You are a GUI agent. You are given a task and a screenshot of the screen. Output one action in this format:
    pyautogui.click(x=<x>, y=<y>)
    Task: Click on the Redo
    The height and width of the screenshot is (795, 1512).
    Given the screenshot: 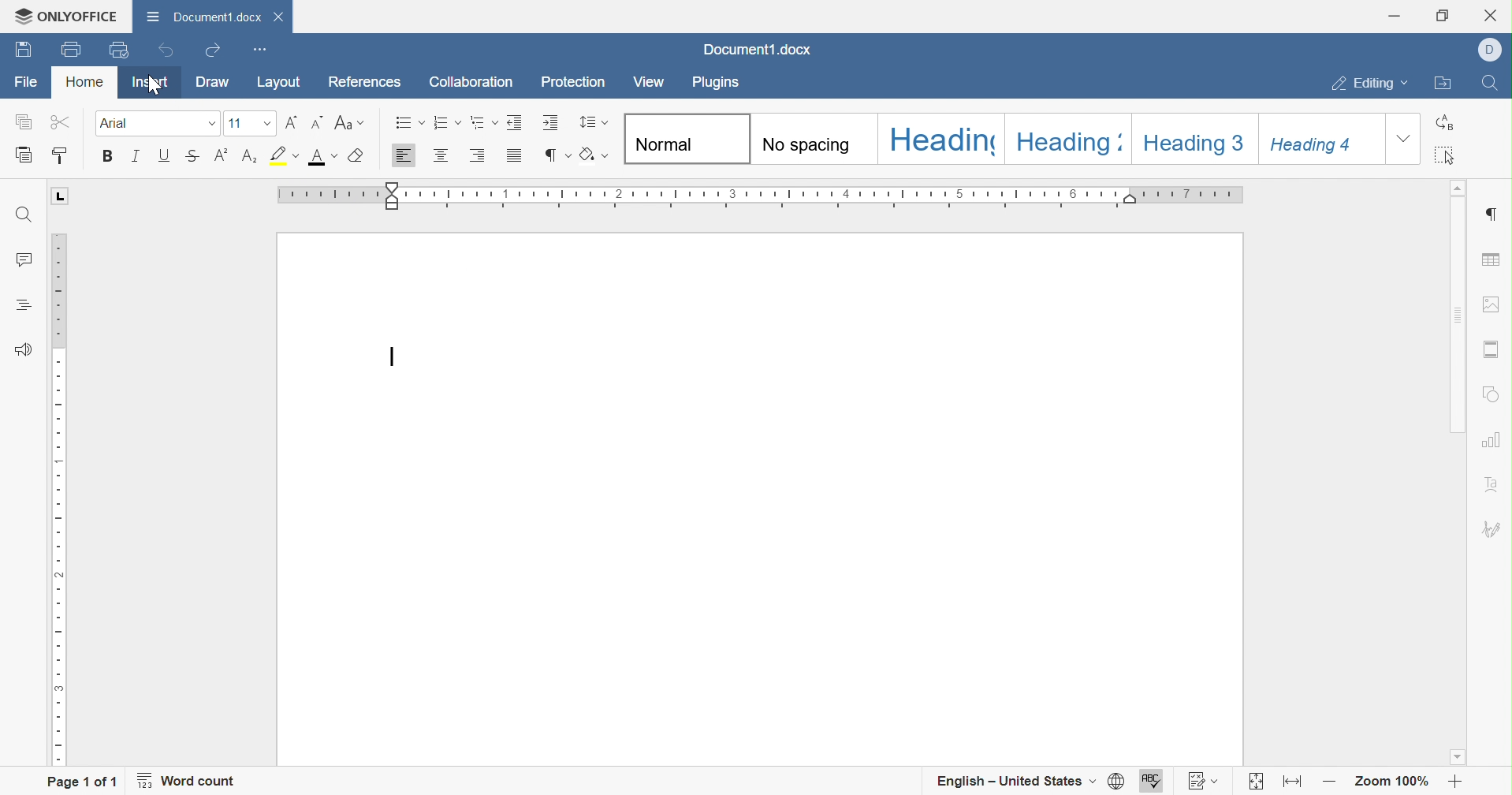 What is the action you would take?
    pyautogui.click(x=216, y=49)
    